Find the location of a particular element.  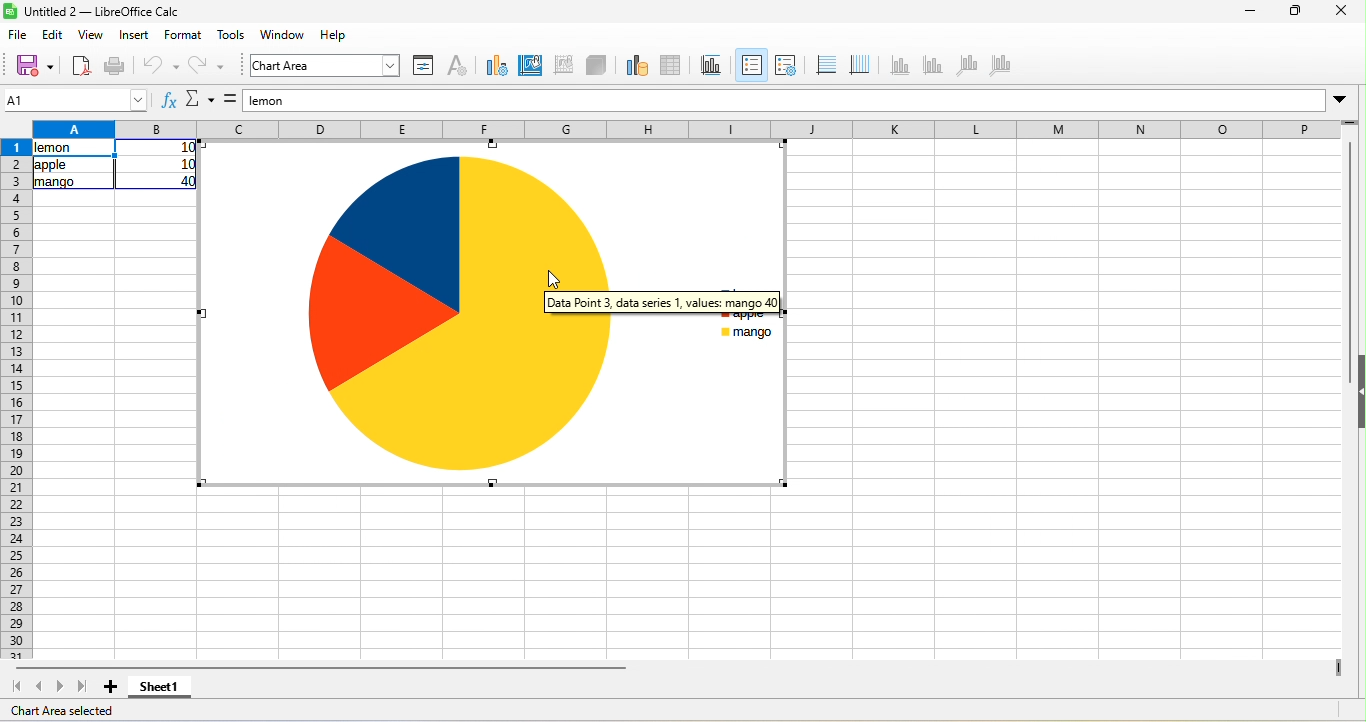

titles is located at coordinates (713, 64).